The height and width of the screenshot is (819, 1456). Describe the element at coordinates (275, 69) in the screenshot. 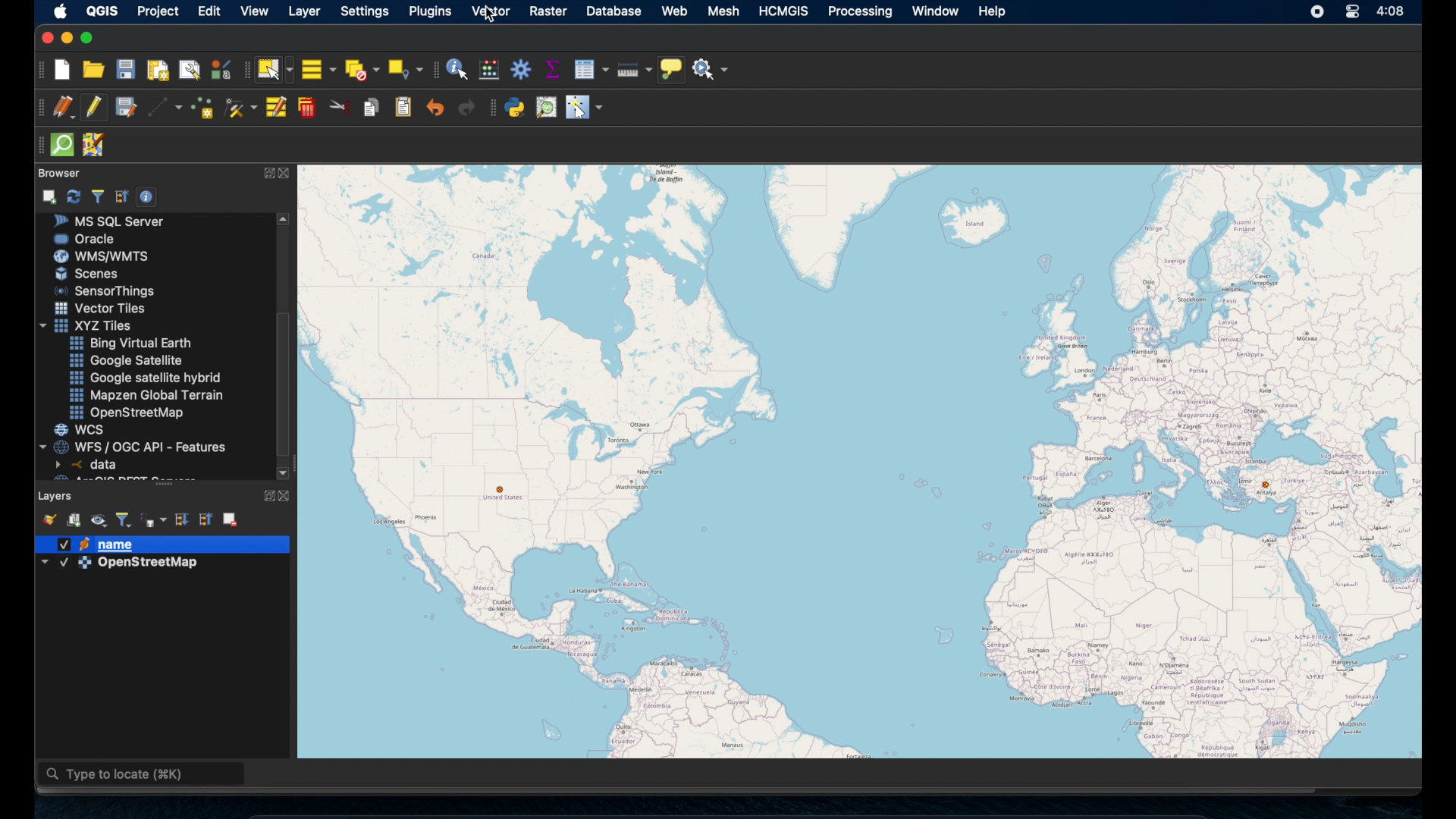

I see `select features by area or single click` at that location.